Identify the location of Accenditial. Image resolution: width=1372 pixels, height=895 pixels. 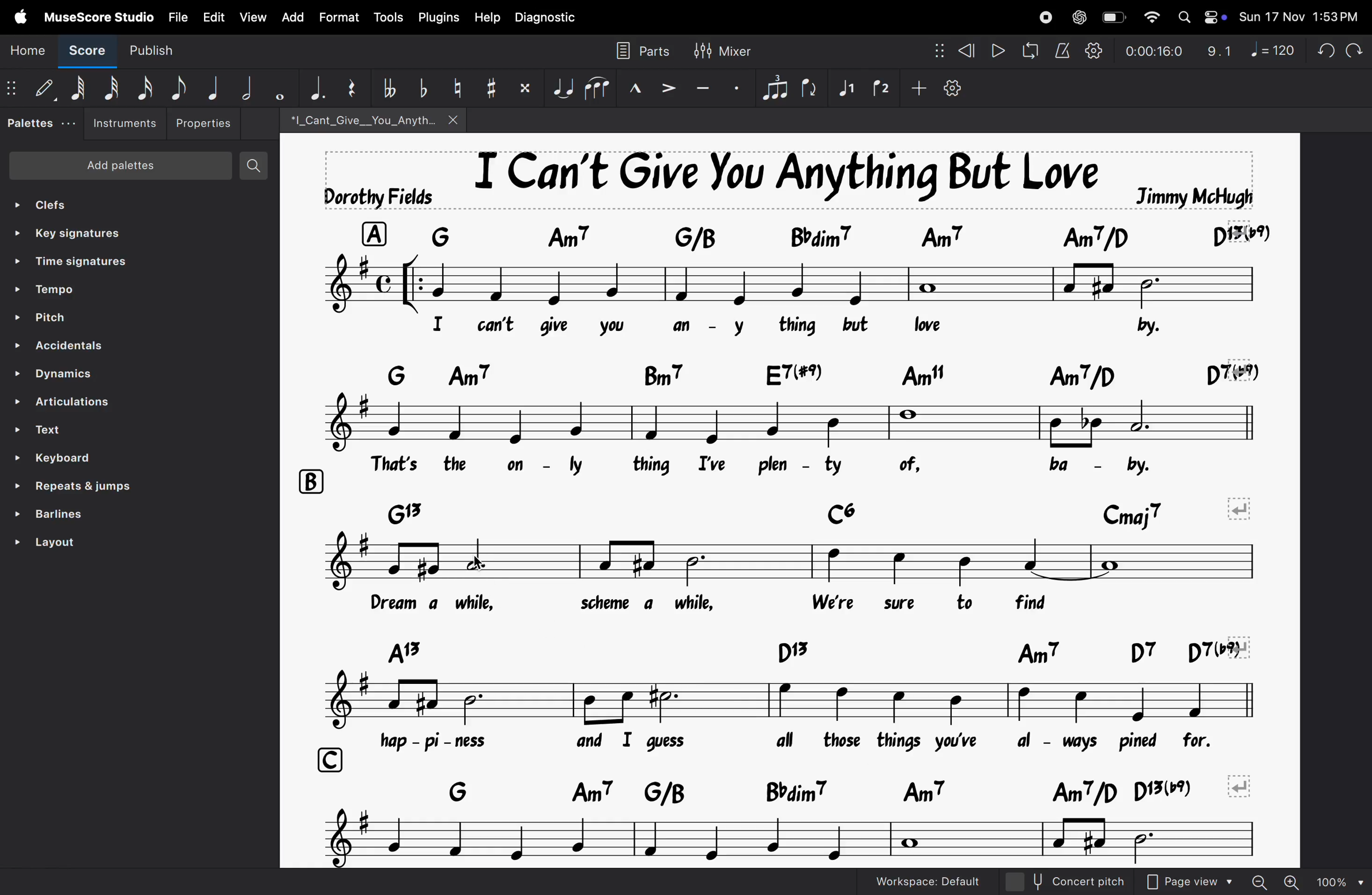
(61, 345).